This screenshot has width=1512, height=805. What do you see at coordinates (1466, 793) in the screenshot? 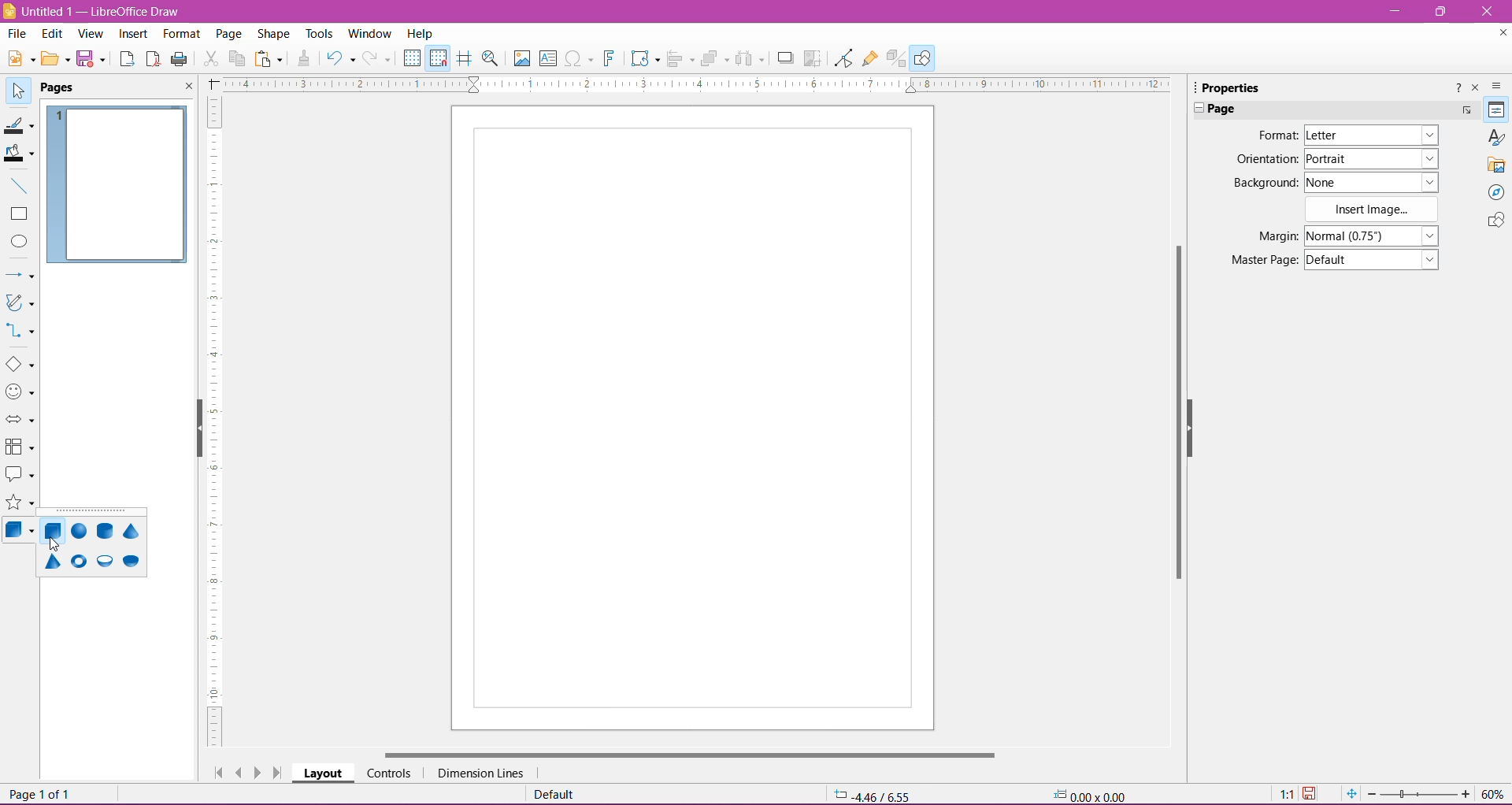
I see `Zoom In` at bounding box center [1466, 793].